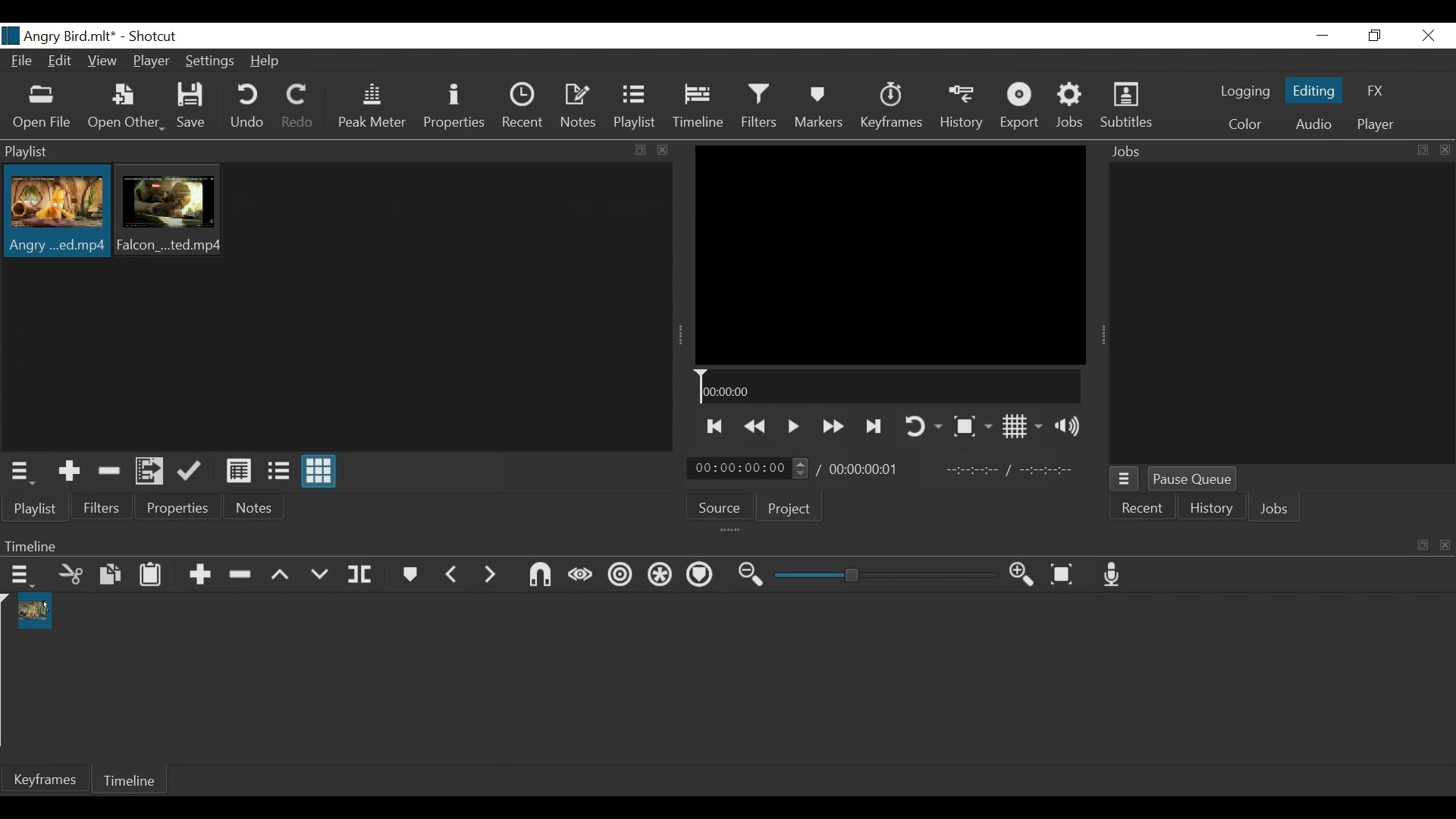  I want to click on Play forward quickly, so click(832, 427).